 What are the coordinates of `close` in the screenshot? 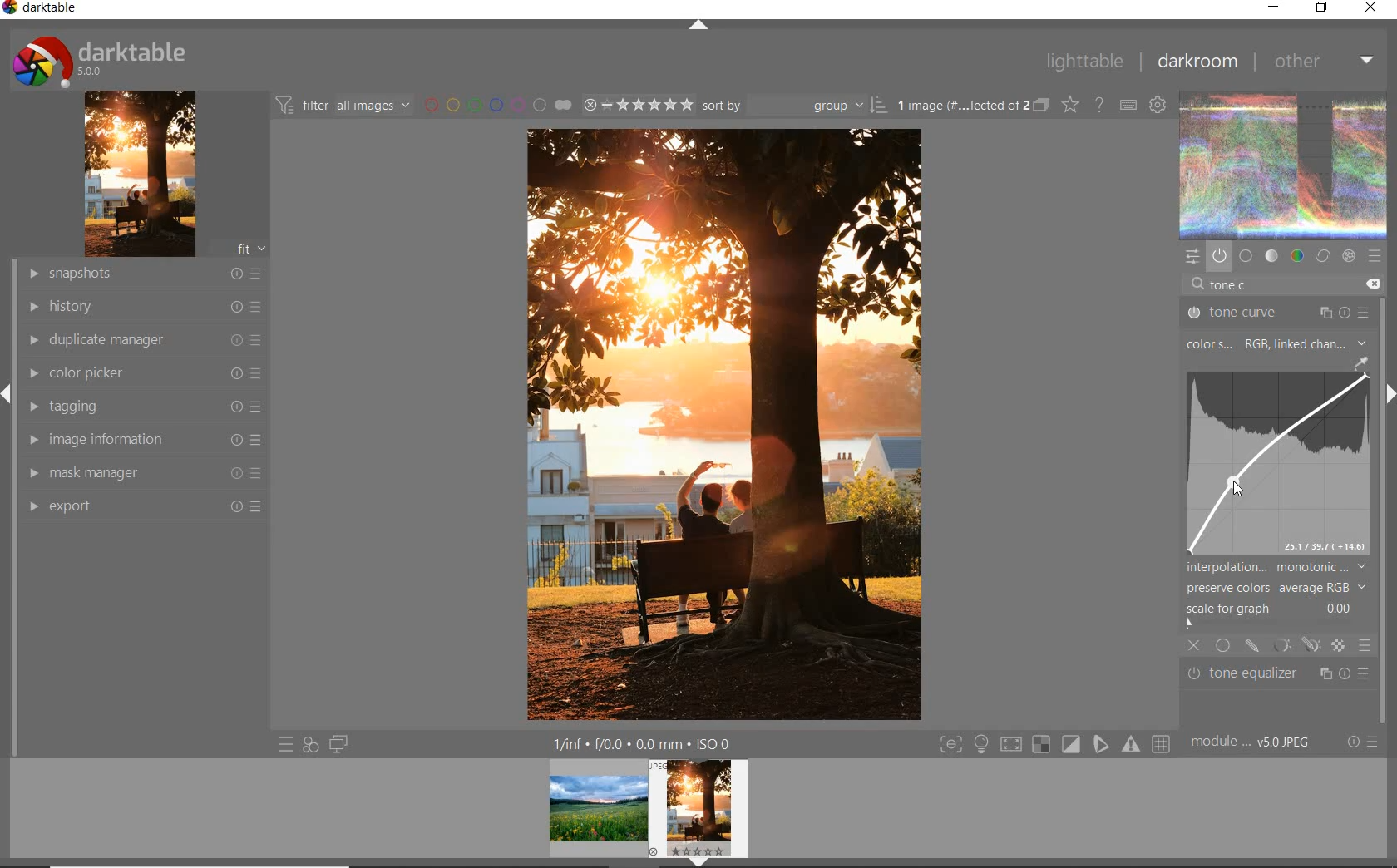 It's located at (1196, 648).